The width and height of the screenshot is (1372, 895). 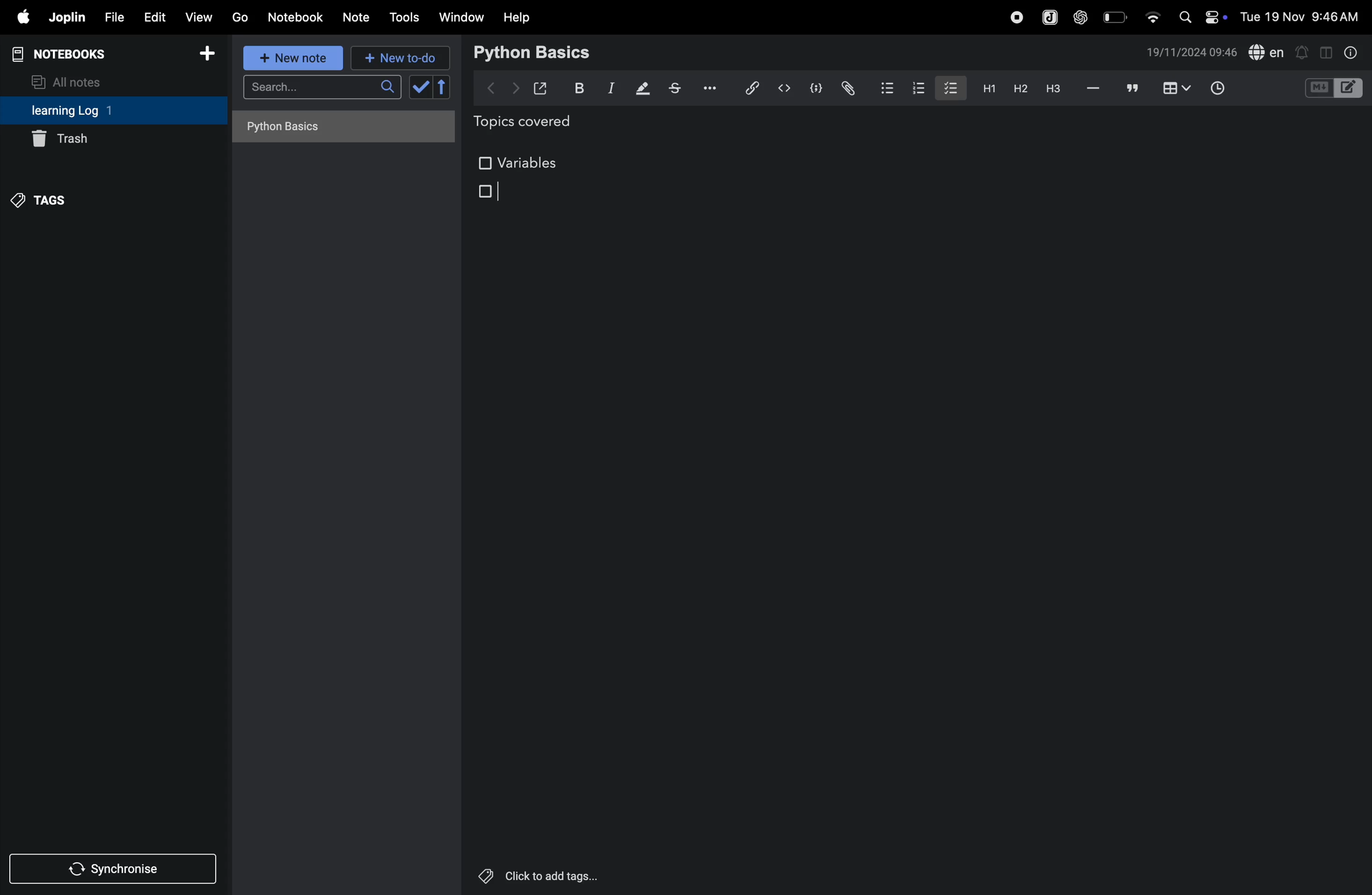 What do you see at coordinates (208, 57) in the screenshot?
I see `add` at bounding box center [208, 57].